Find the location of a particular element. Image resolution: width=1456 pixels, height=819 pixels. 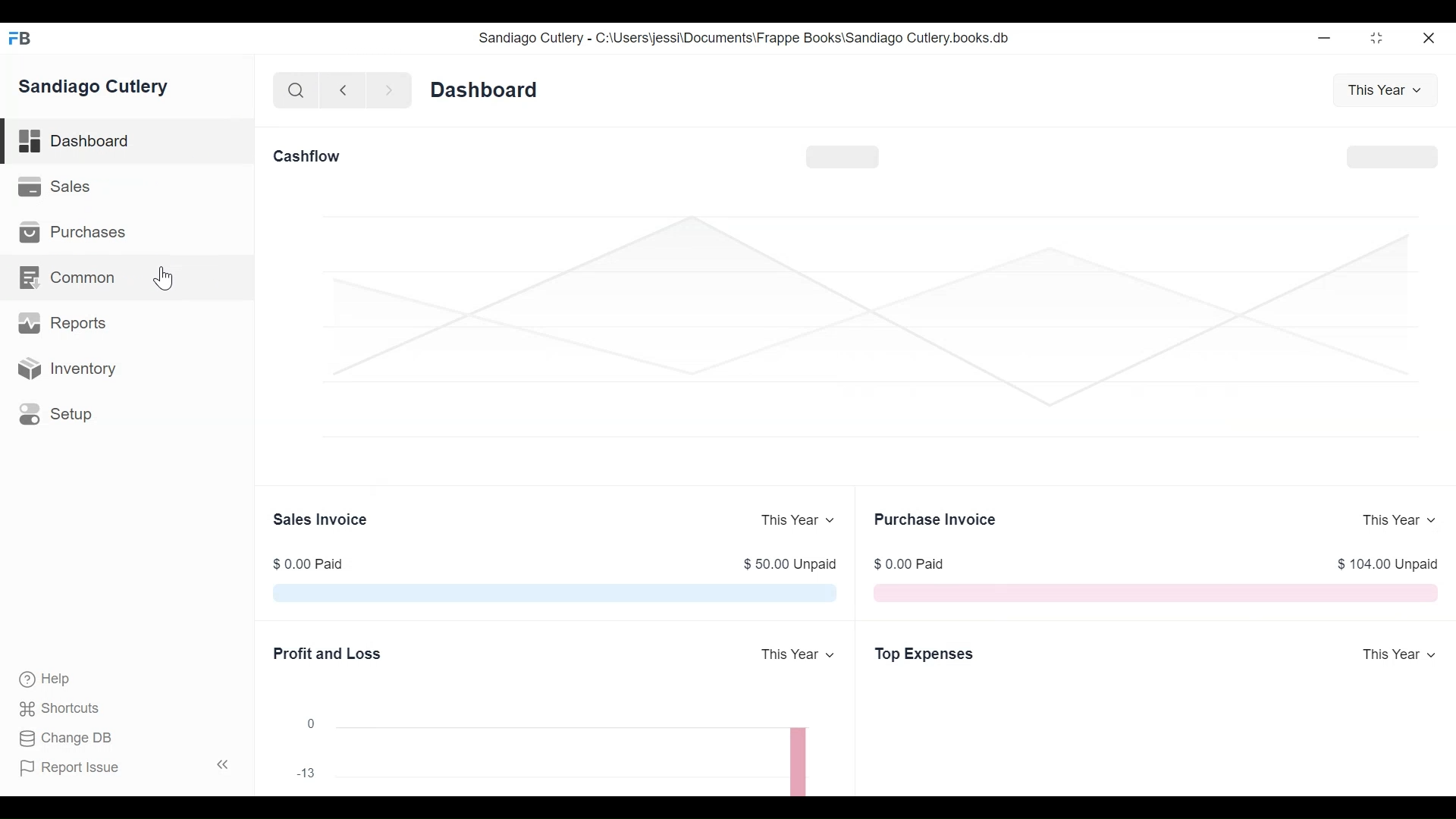

Close is located at coordinates (1431, 37).